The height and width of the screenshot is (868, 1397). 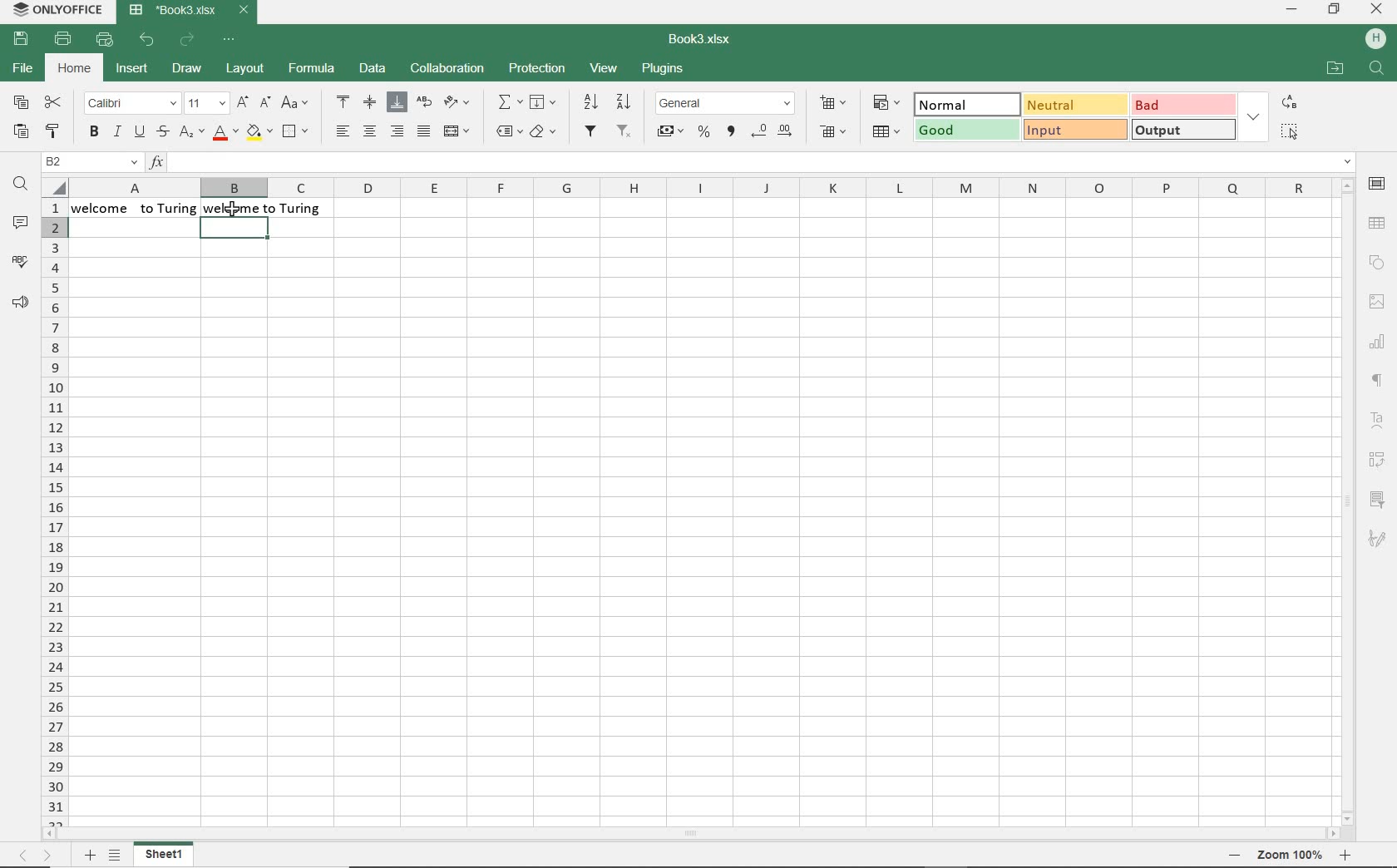 I want to click on collaboration, so click(x=448, y=70).